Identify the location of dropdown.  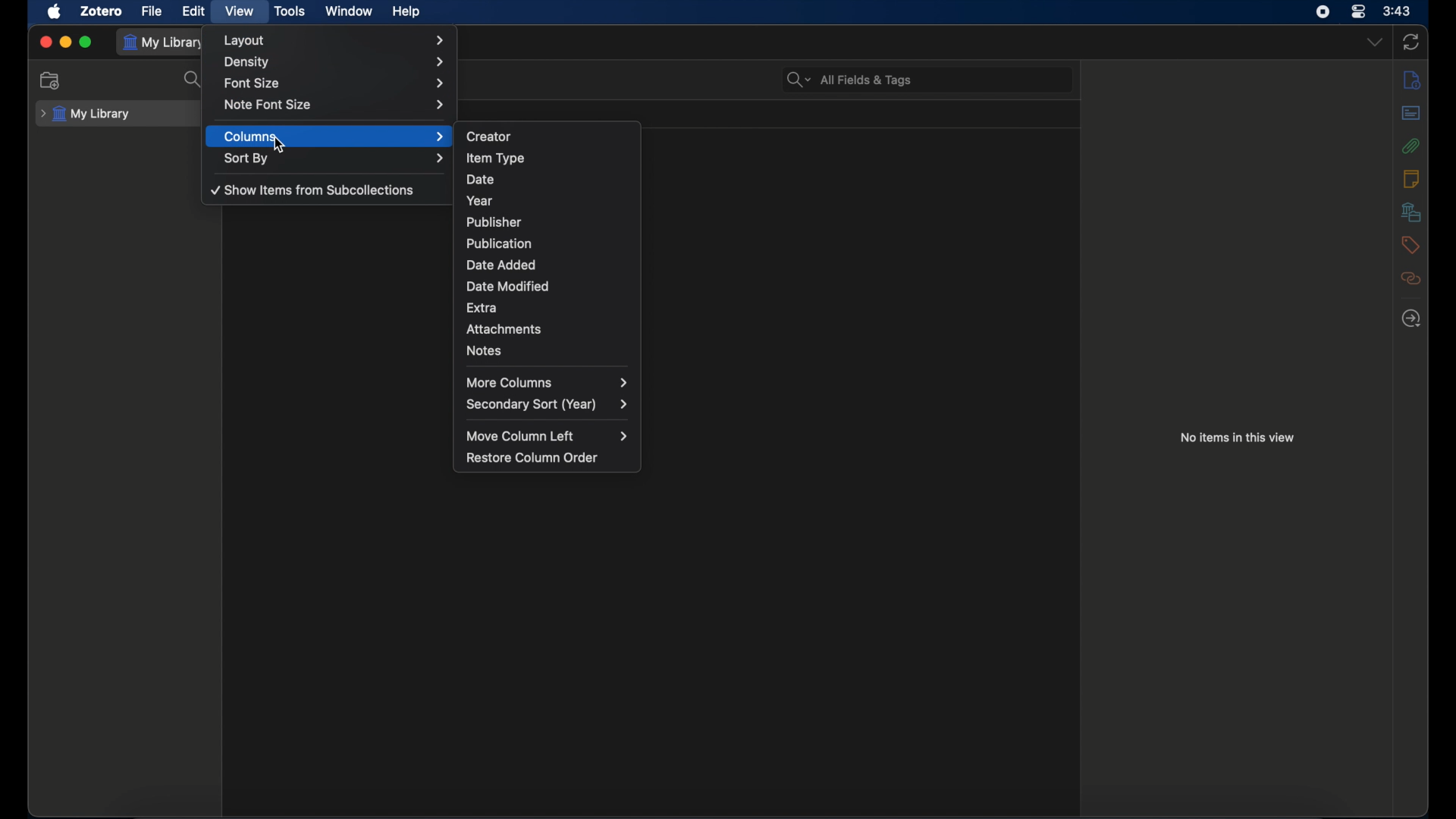
(1373, 42).